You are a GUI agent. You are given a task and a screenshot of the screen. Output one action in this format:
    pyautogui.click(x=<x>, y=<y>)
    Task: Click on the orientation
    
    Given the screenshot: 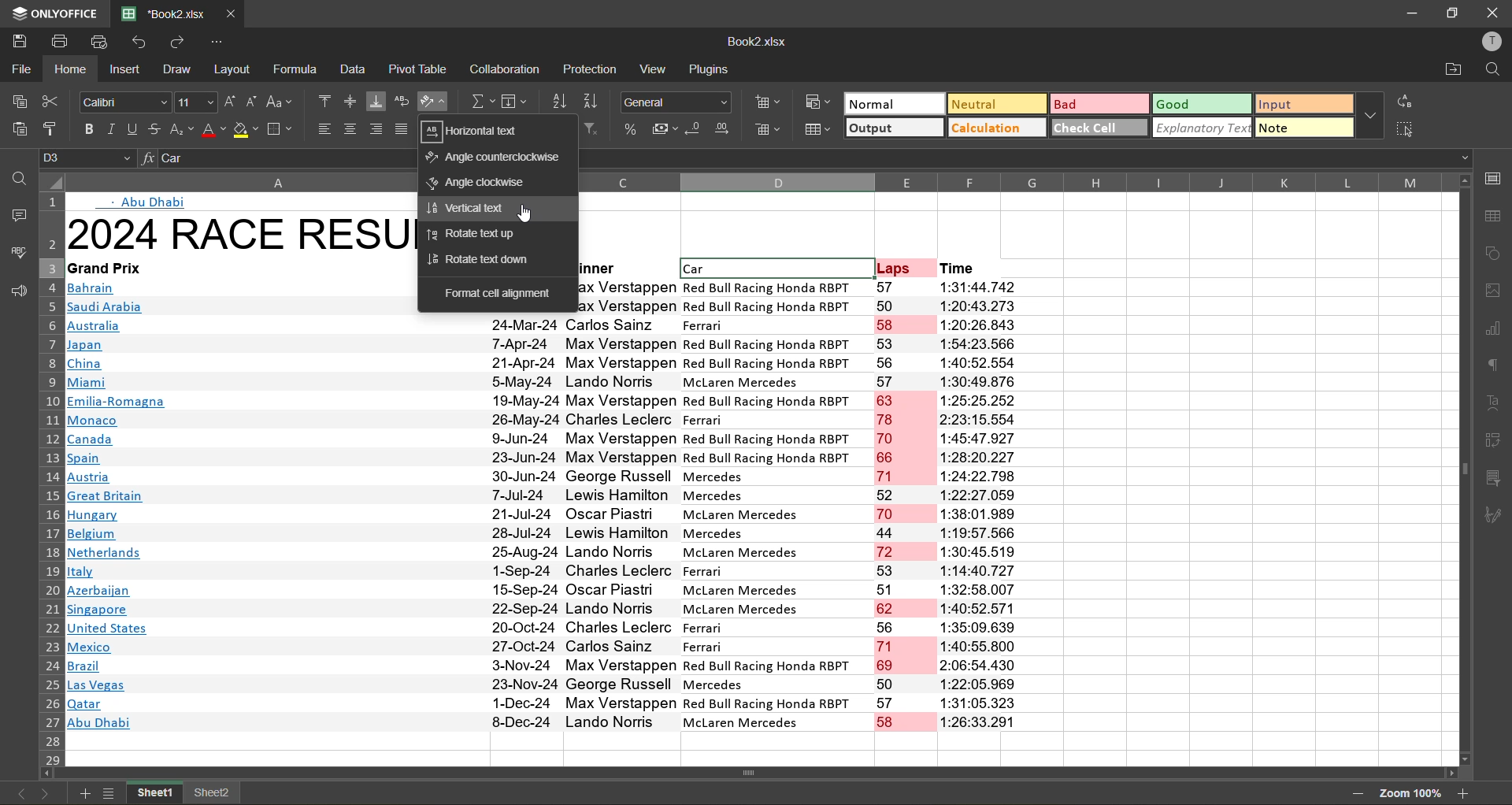 What is the action you would take?
    pyautogui.click(x=435, y=100)
    